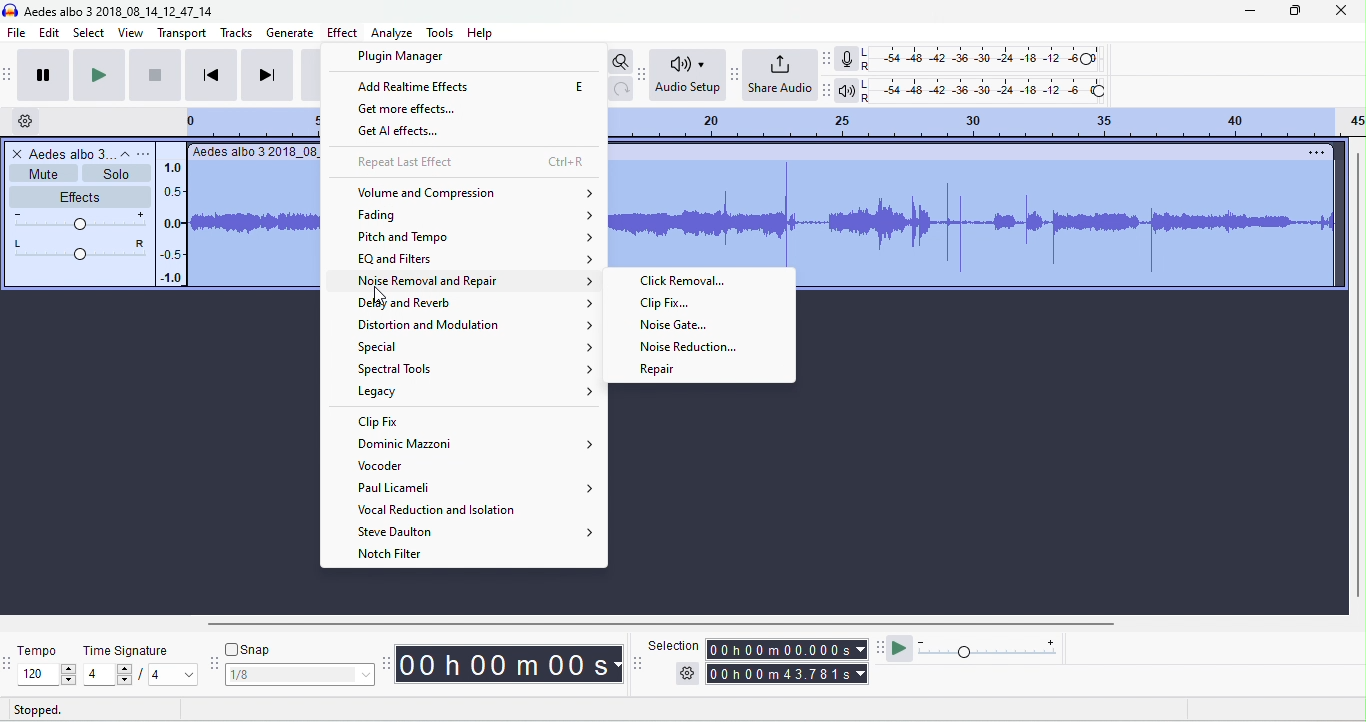 The image size is (1366, 722). I want to click on L, so click(866, 84).